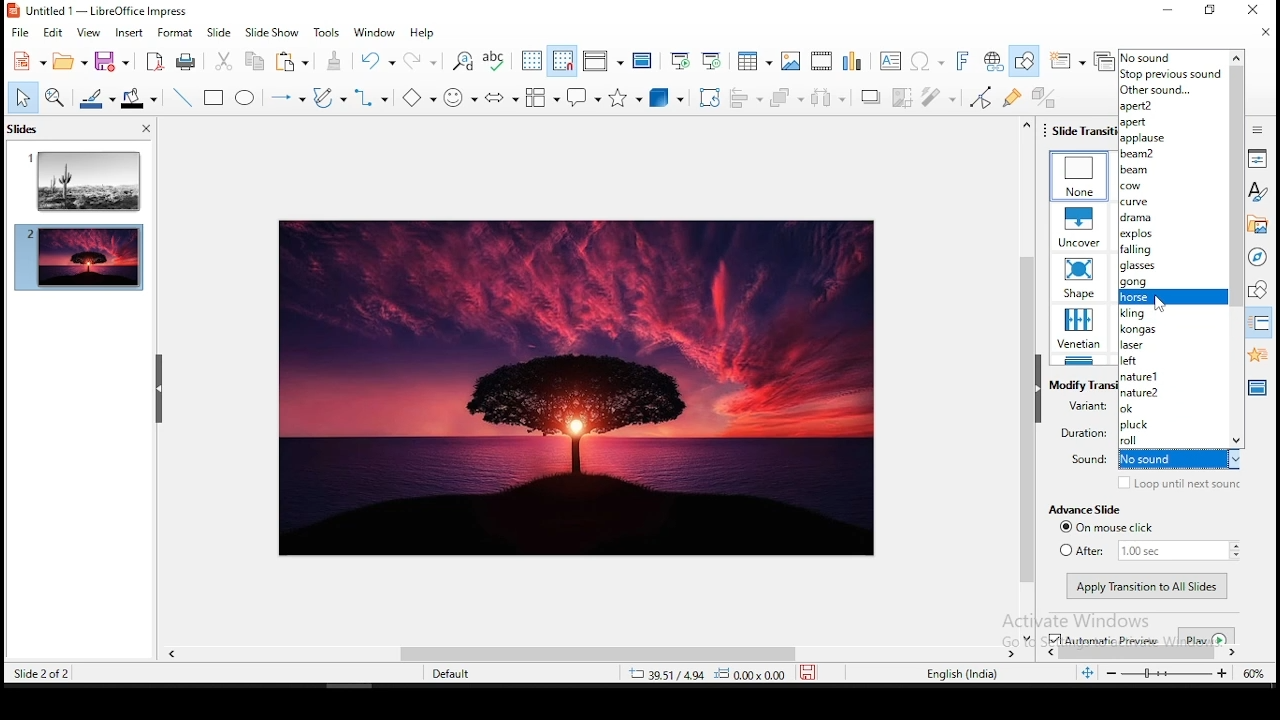 The width and height of the screenshot is (1280, 720). I want to click on format, so click(175, 31).